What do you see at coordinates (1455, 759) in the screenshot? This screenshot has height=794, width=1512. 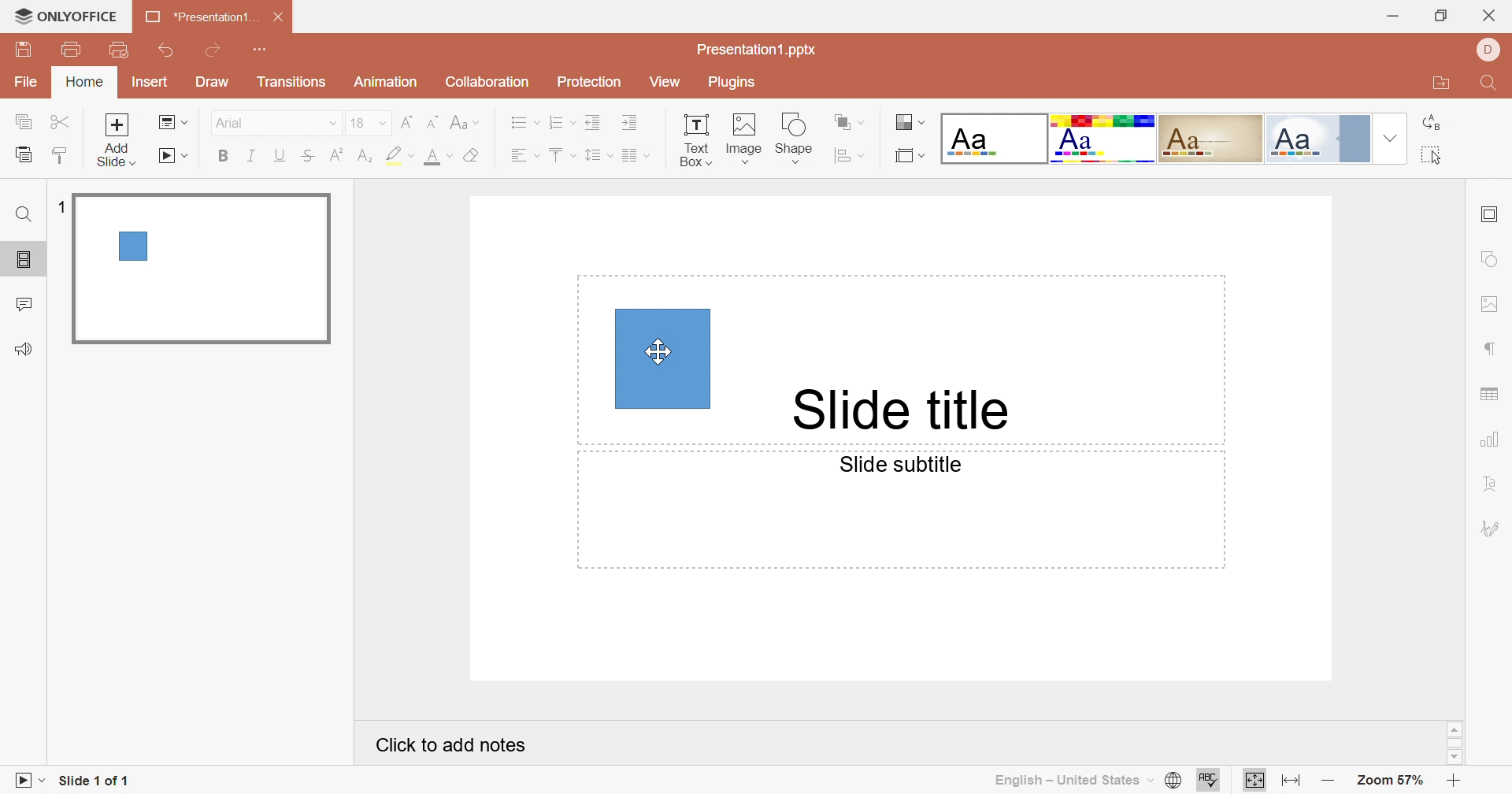 I see `Scroll down` at bounding box center [1455, 759].